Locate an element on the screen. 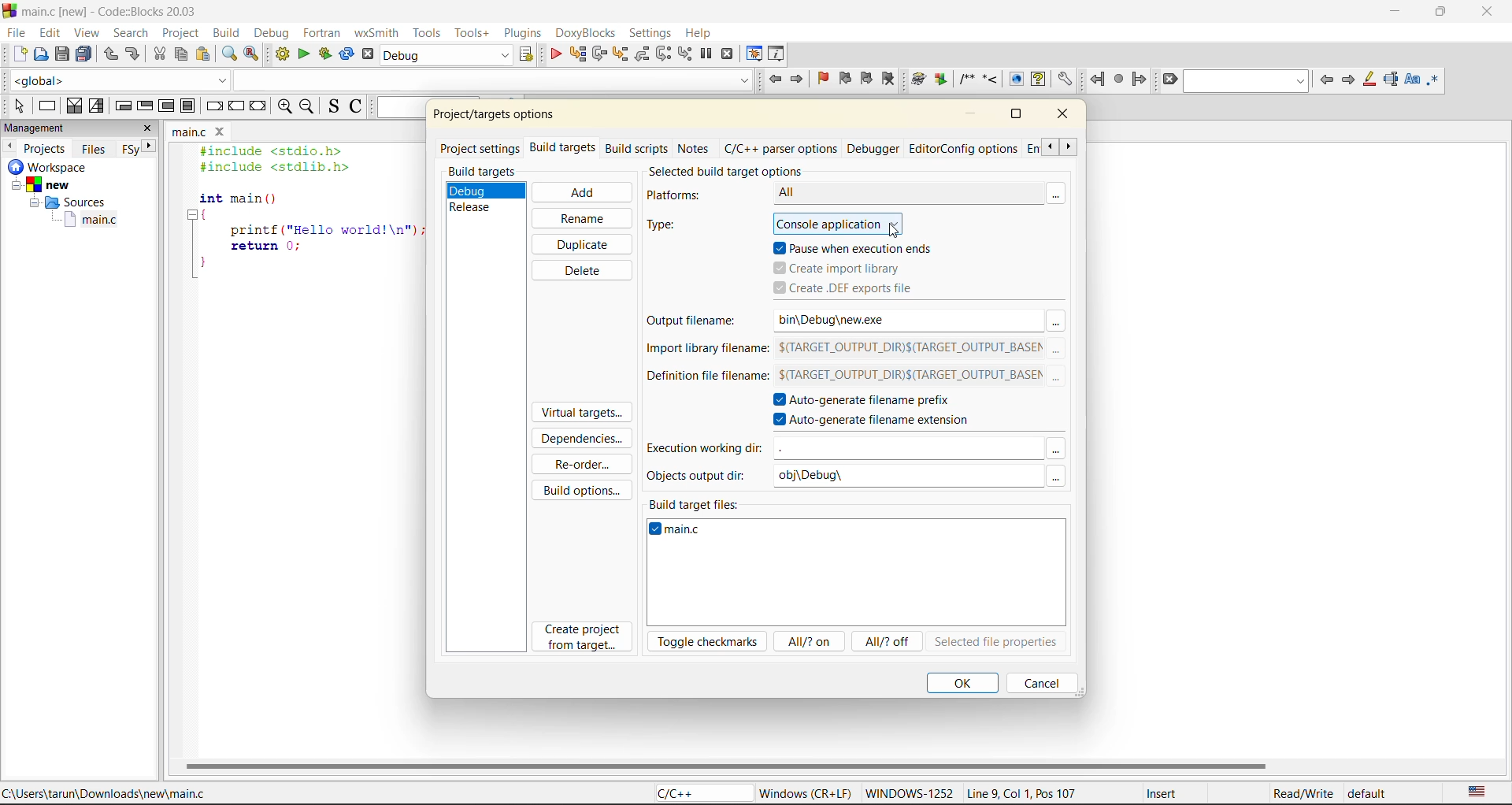  block instruction is located at coordinates (190, 105).